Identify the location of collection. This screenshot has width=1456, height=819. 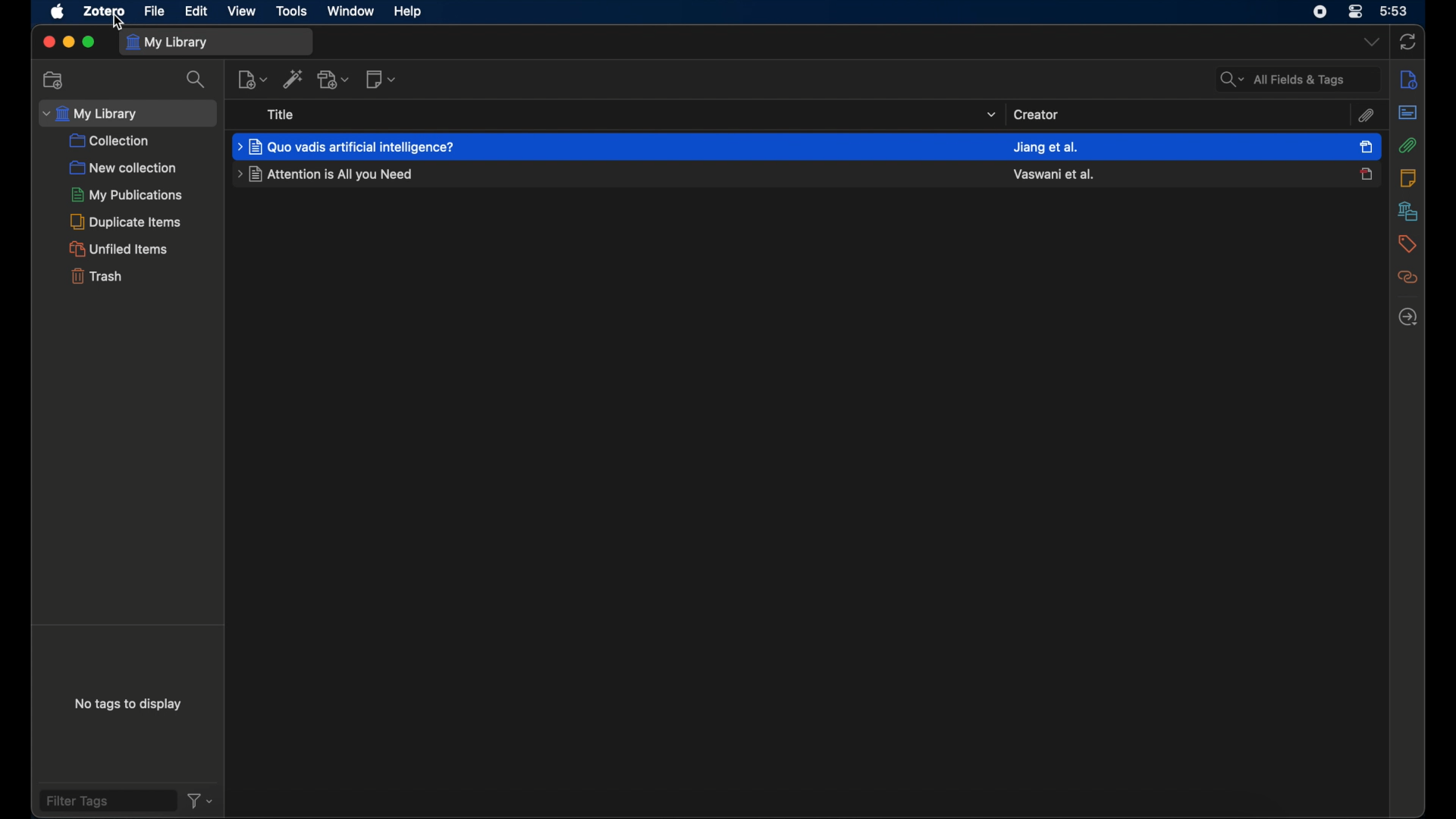
(111, 141).